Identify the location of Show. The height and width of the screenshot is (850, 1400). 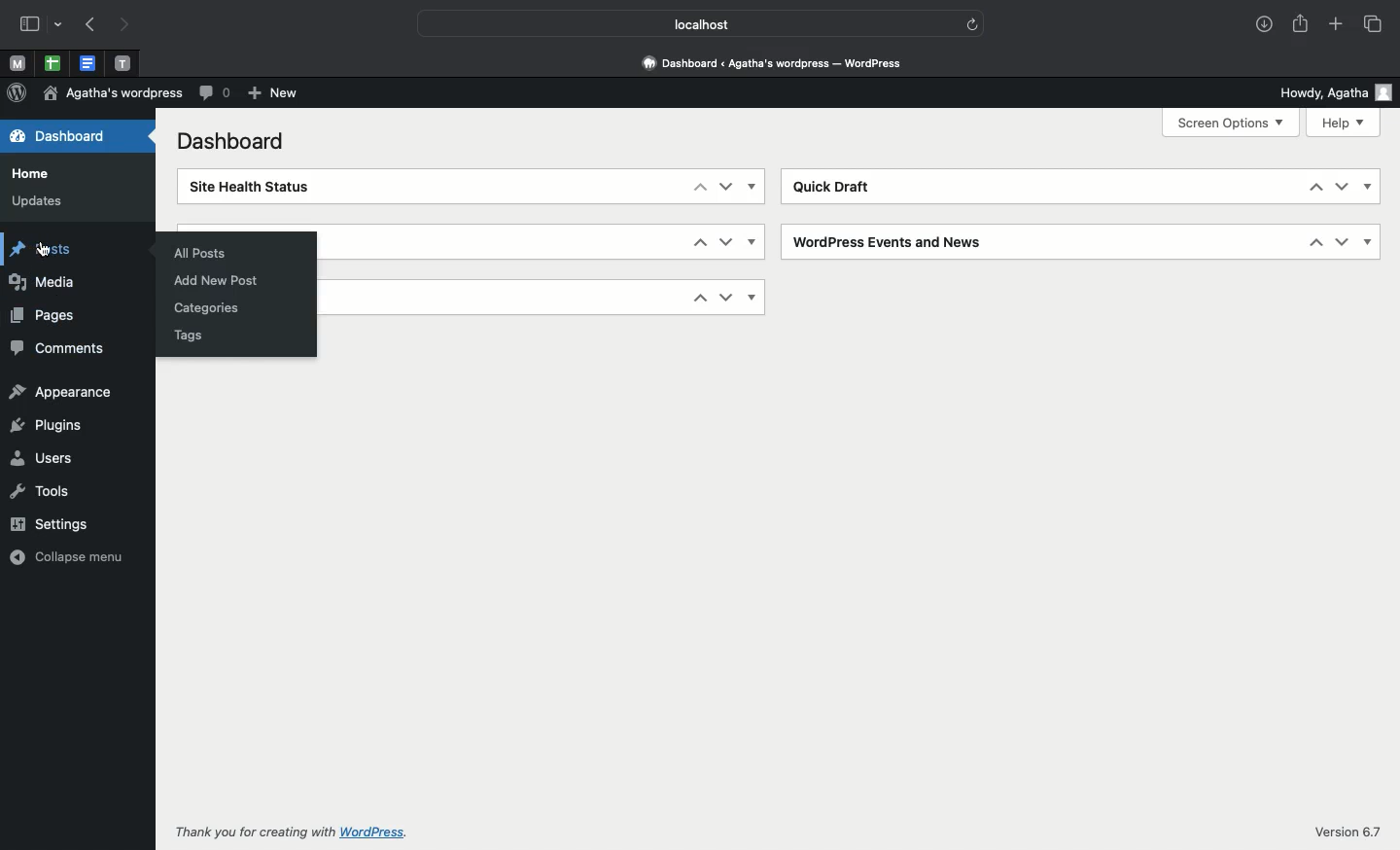
(755, 297).